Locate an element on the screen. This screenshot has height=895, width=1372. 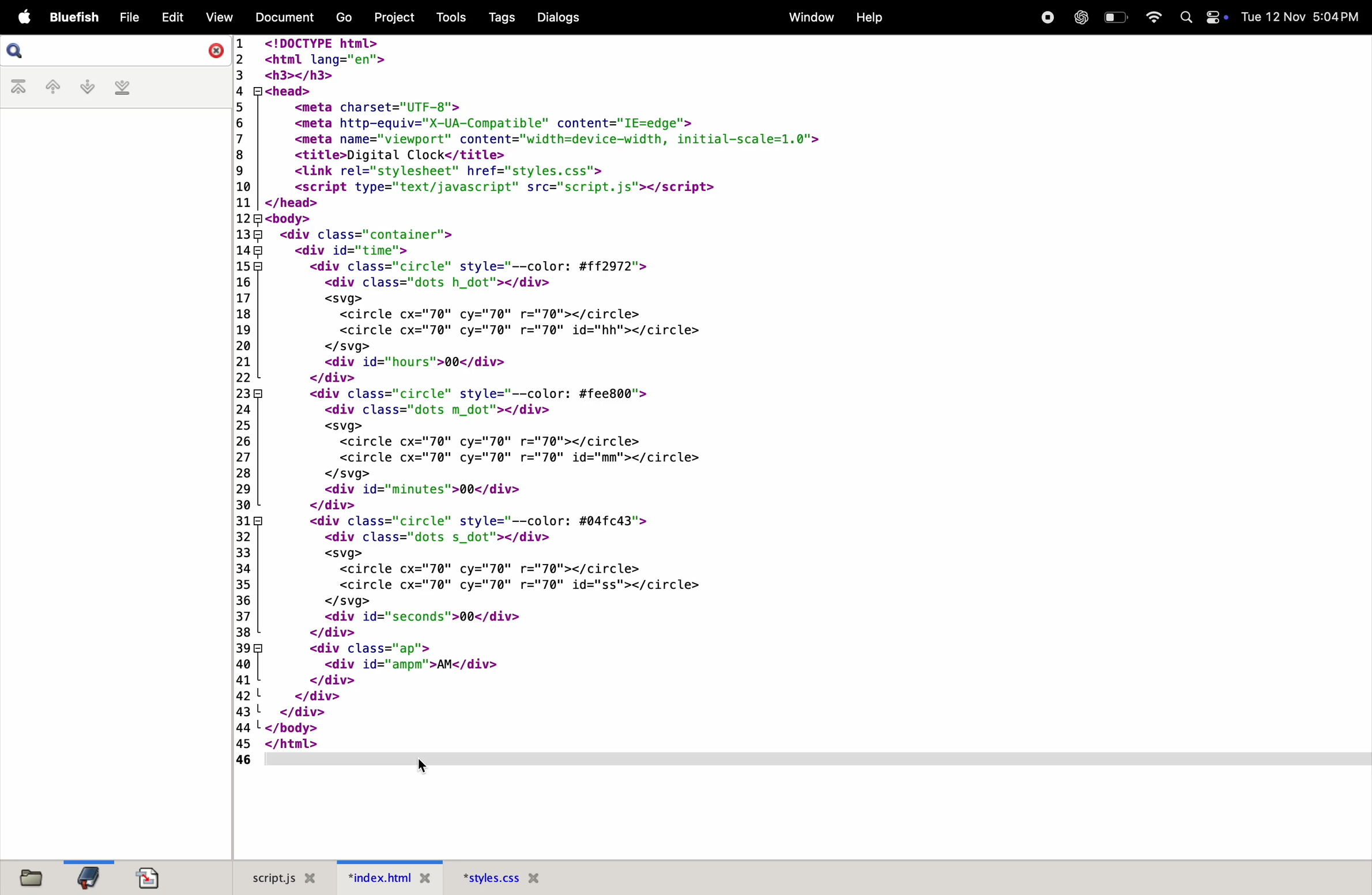
Line 46 code removed is located at coordinates (311, 766).